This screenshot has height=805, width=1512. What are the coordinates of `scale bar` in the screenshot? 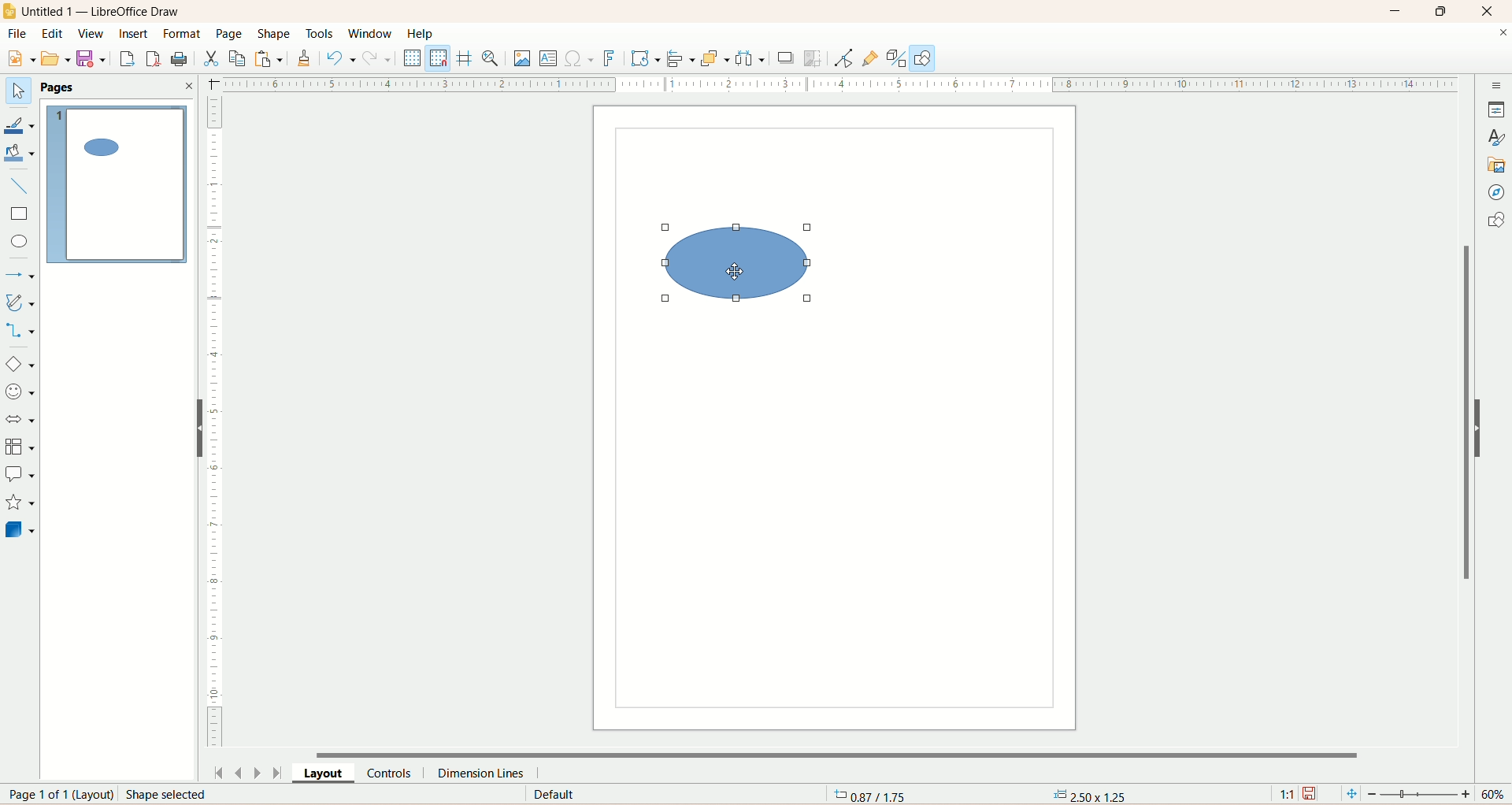 It's located at (842, 85).